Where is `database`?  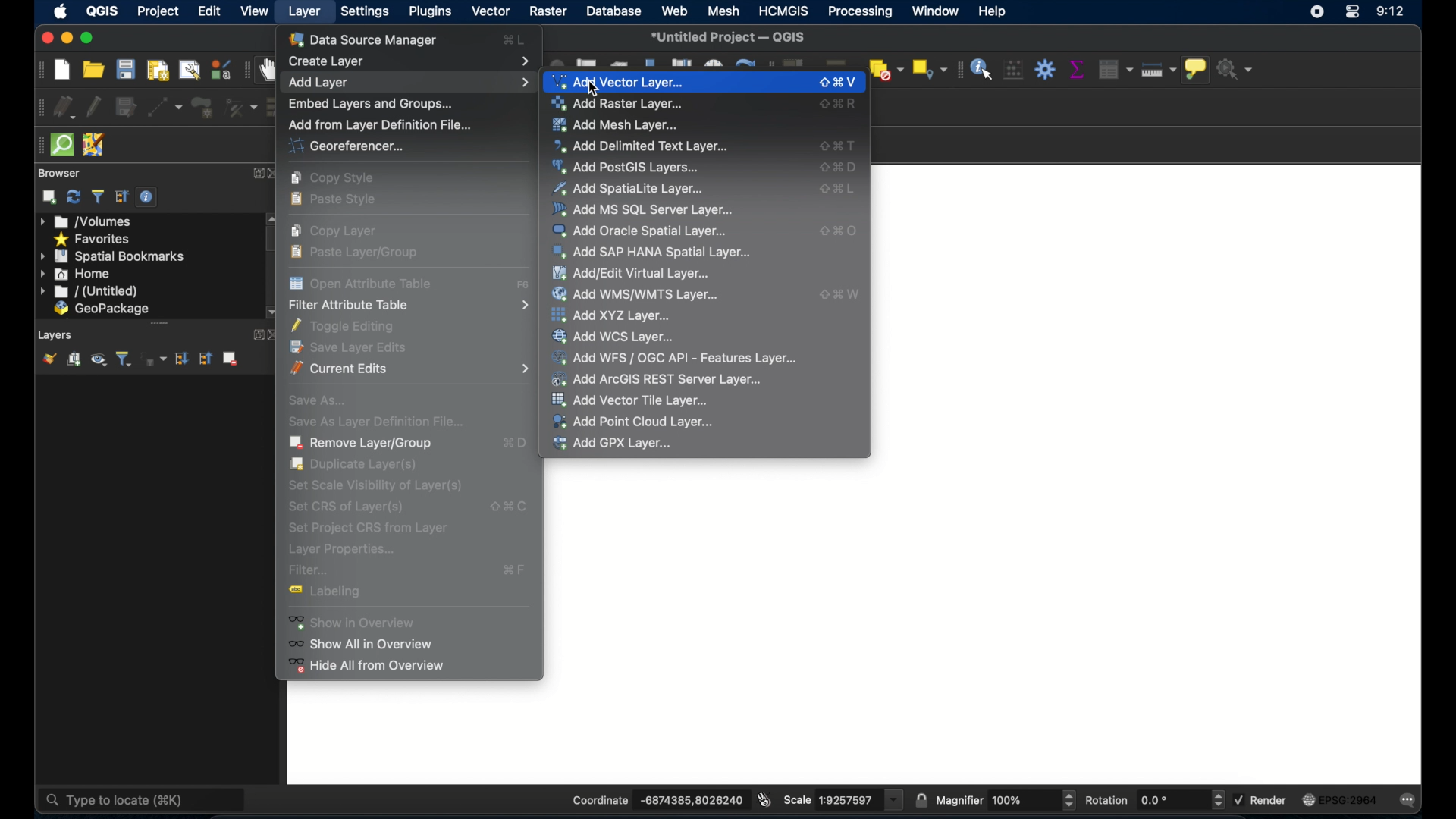 database is located at coordinates (613, 11).